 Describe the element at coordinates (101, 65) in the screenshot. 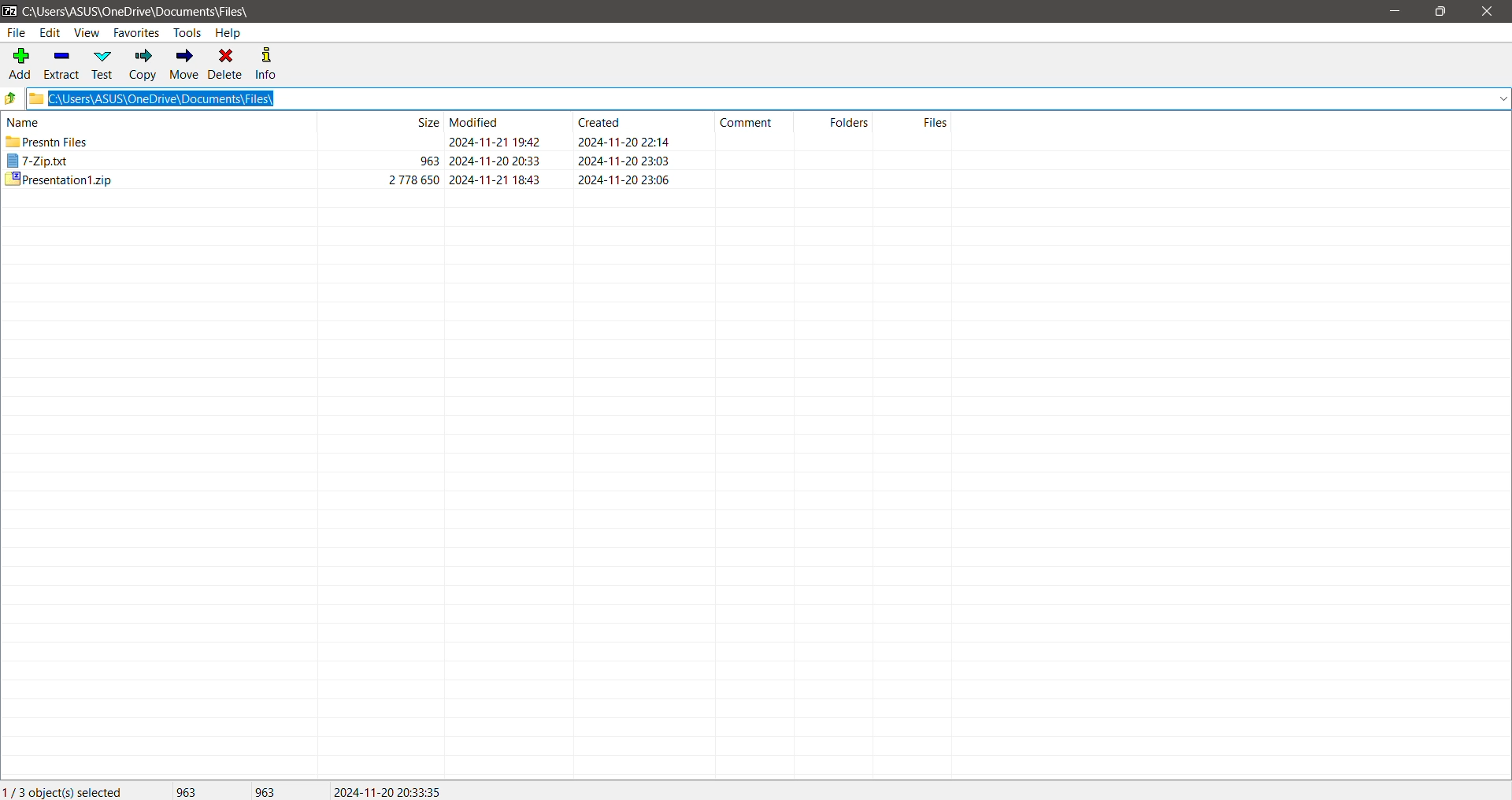

I see `Test` at that location.